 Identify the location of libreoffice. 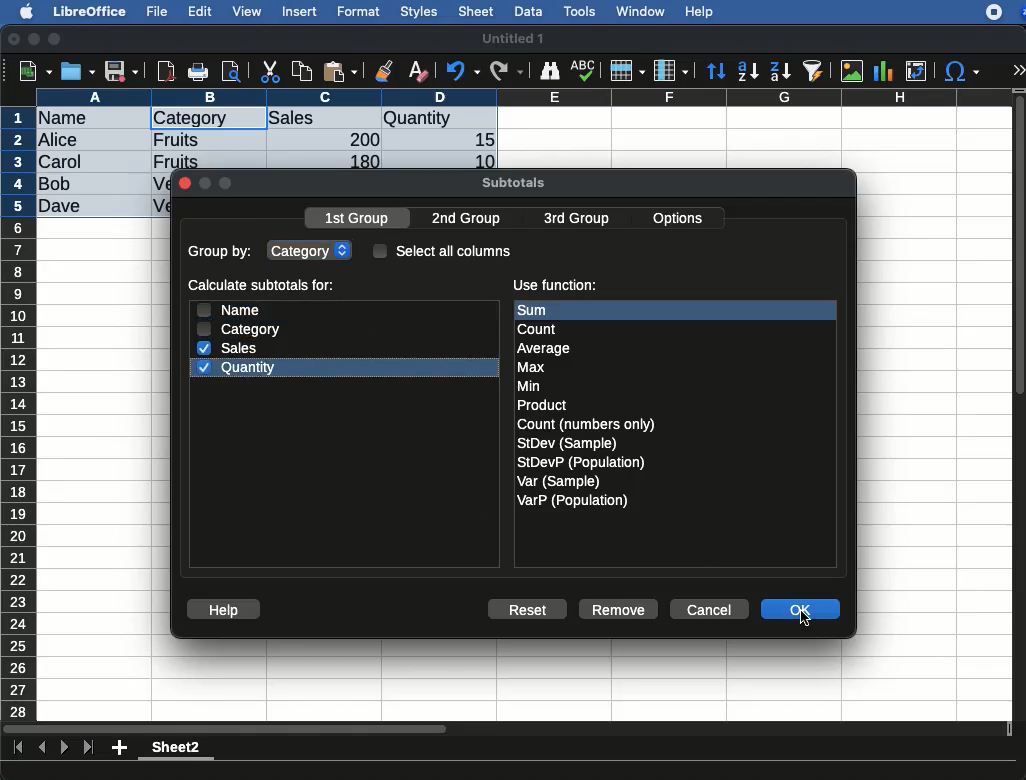
(91, 11).